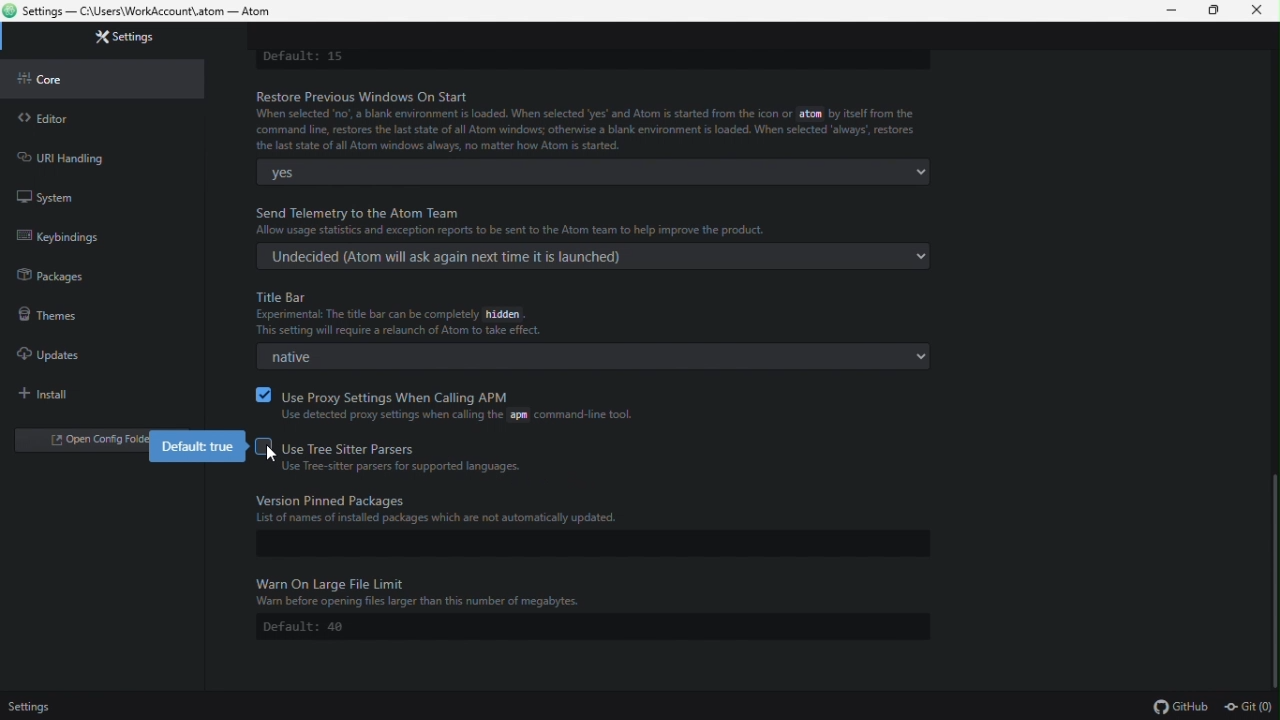  What do you see at coordinates (51, 394) in the screenshot?
I see `install` at bounding box center [51, 394].